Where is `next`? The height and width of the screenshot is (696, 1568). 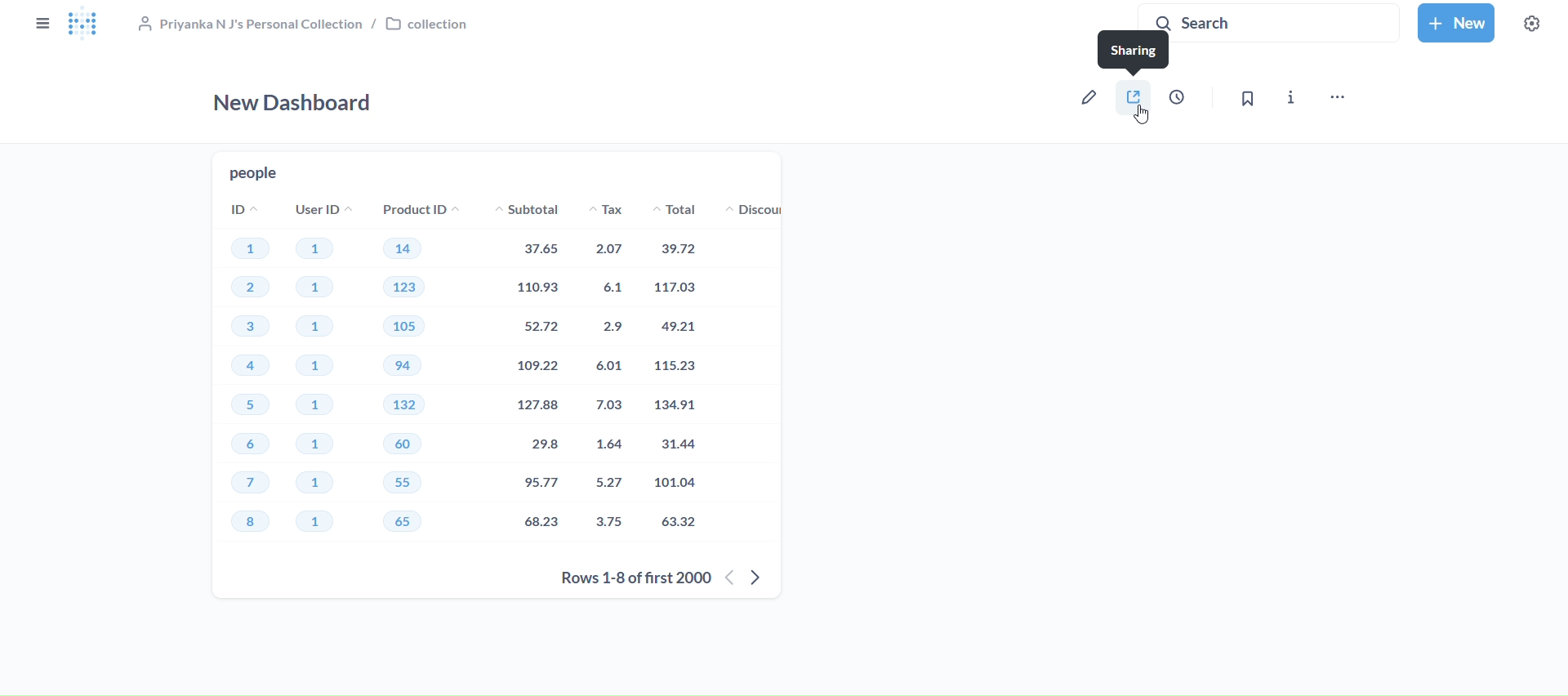 next is located at coordinates (759, 580).